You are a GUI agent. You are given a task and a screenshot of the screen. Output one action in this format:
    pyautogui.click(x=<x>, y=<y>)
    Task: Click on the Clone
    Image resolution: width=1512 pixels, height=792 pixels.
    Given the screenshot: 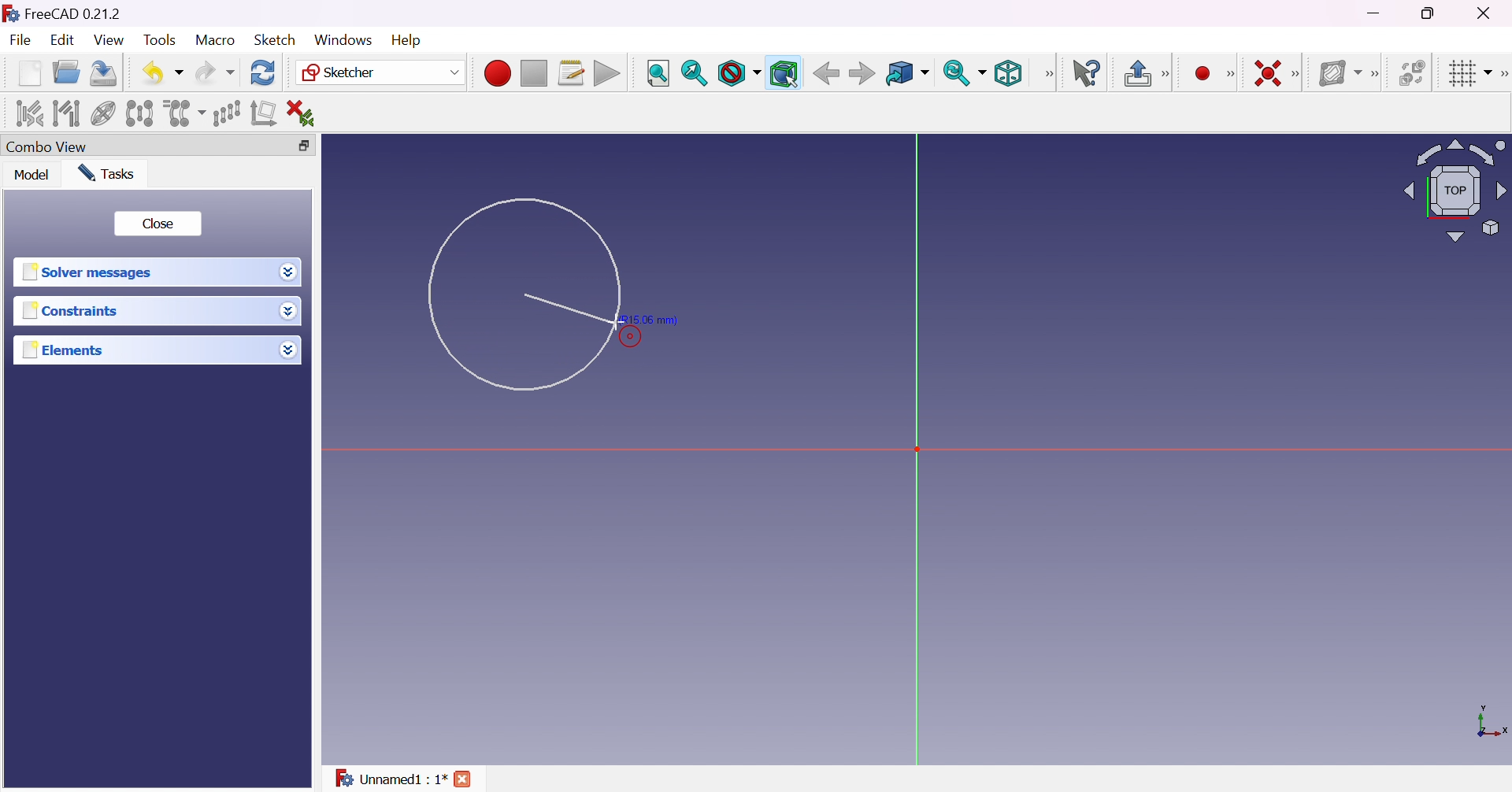 What is the action you would take?
    pyautogui.click(x=183, y=112)
    